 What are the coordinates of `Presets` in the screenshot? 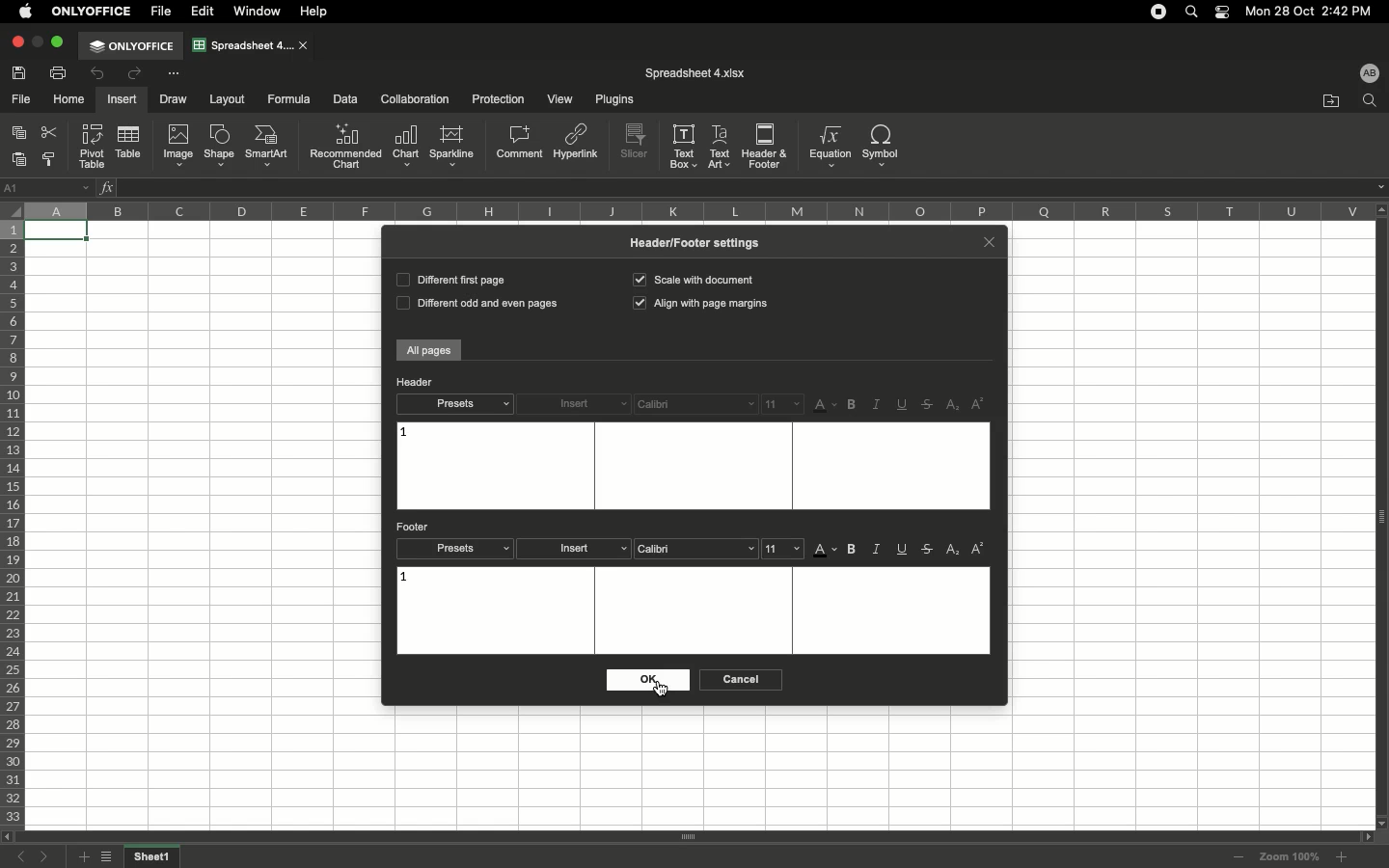 It's located at (454, 404).